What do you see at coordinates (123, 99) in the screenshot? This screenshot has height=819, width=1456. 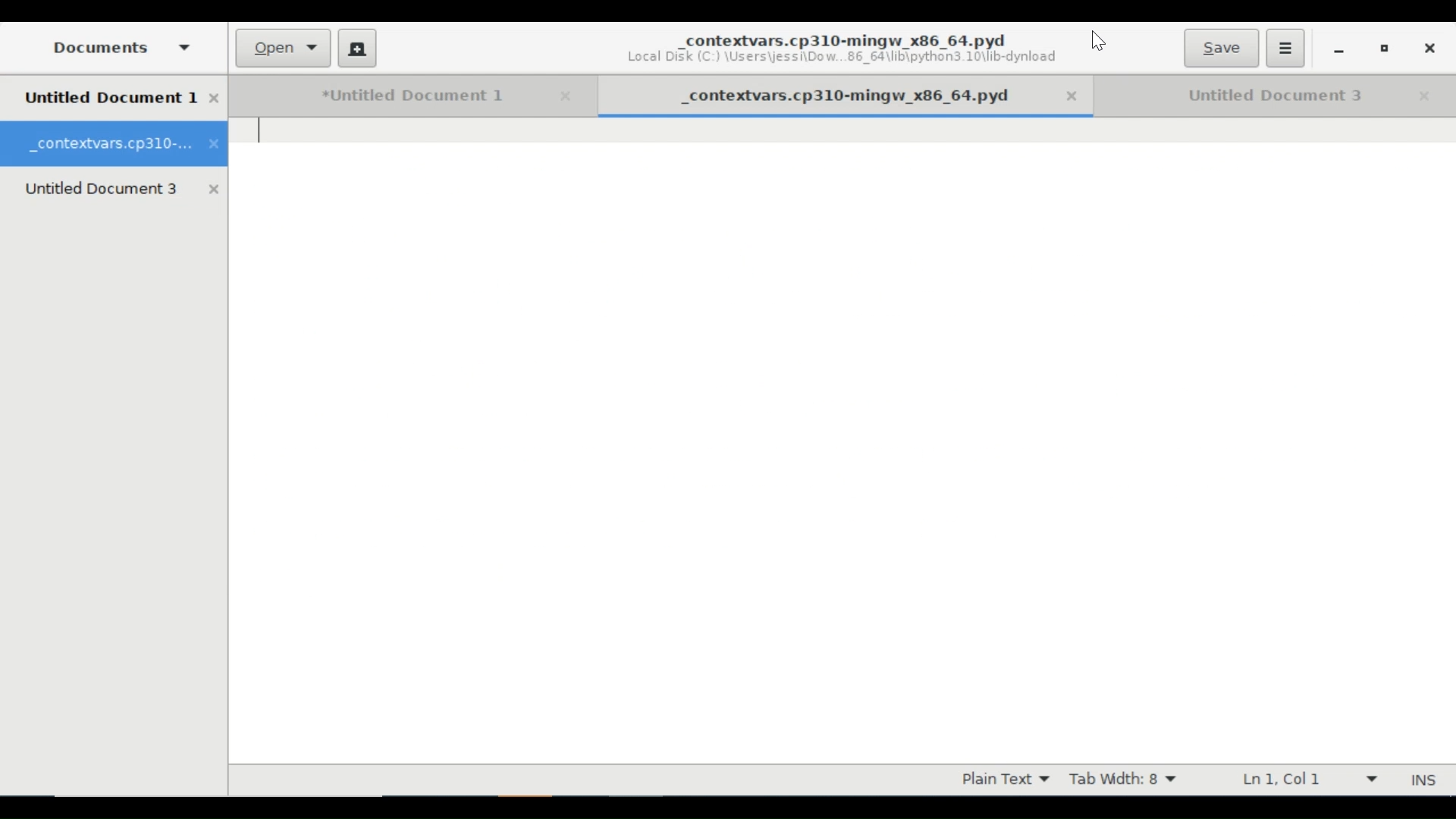 I see `Untitled Document 1 tab` at bounding box center [123, 99].